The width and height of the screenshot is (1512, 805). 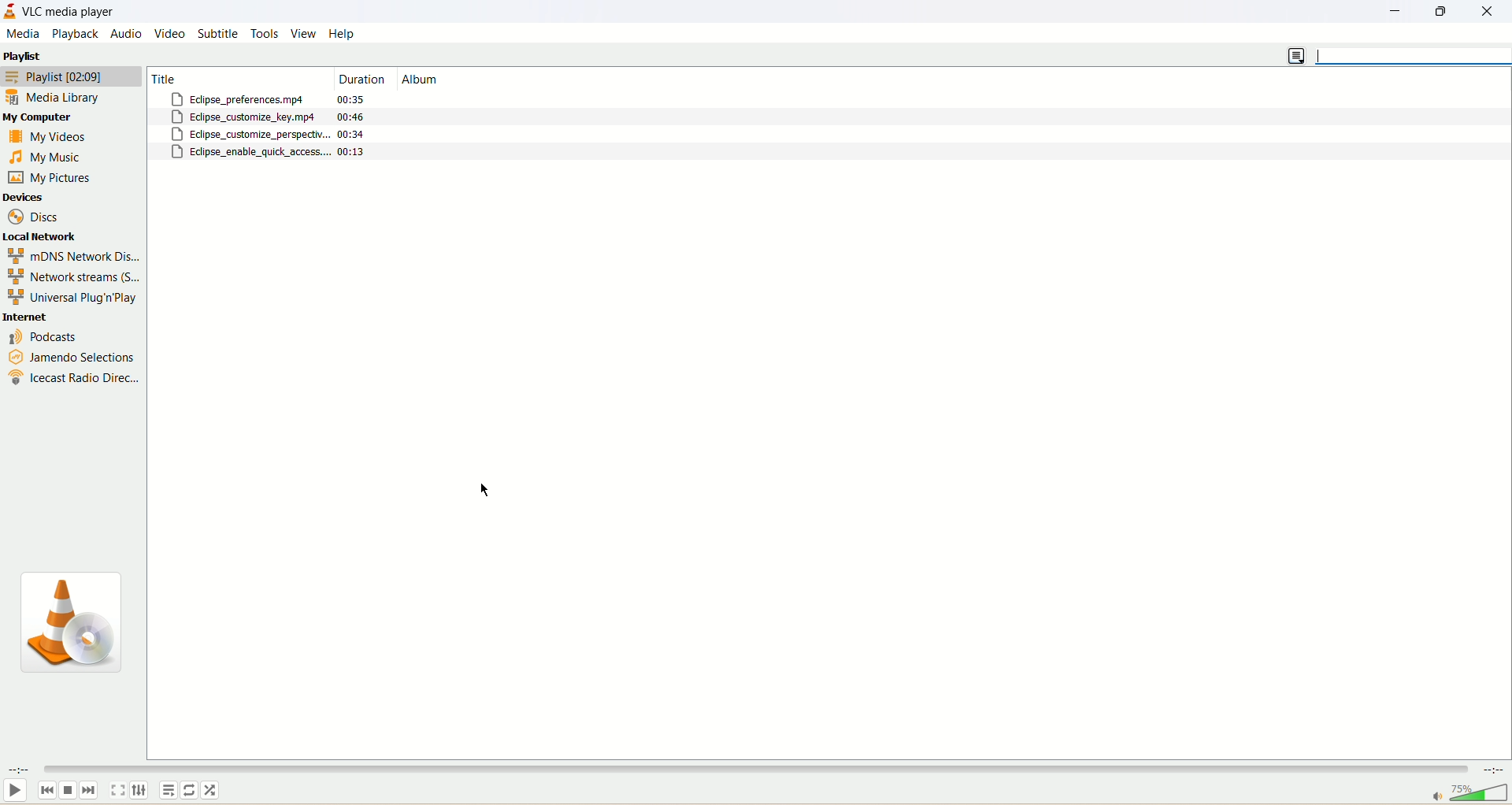 I want to click on time remaining, so click(x=1496, y=770).